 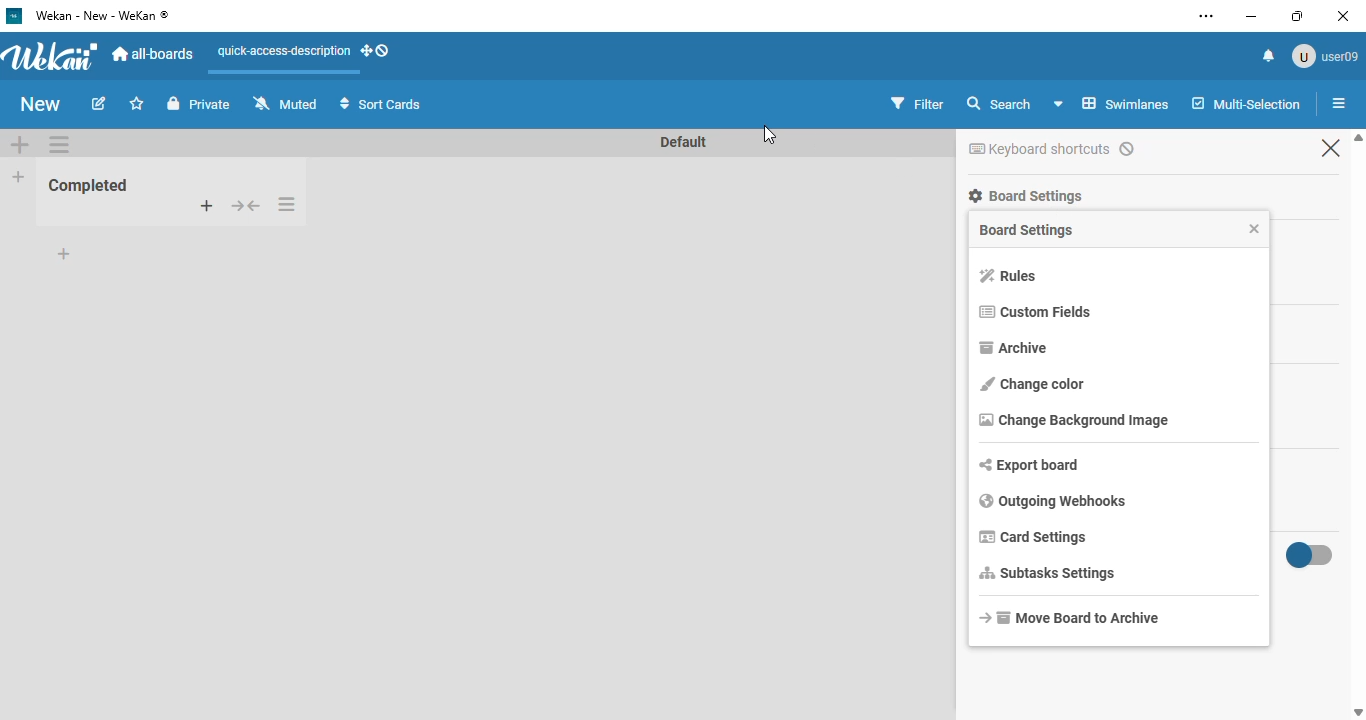 I want to click on add swimlane, so click(x=20, y=143).